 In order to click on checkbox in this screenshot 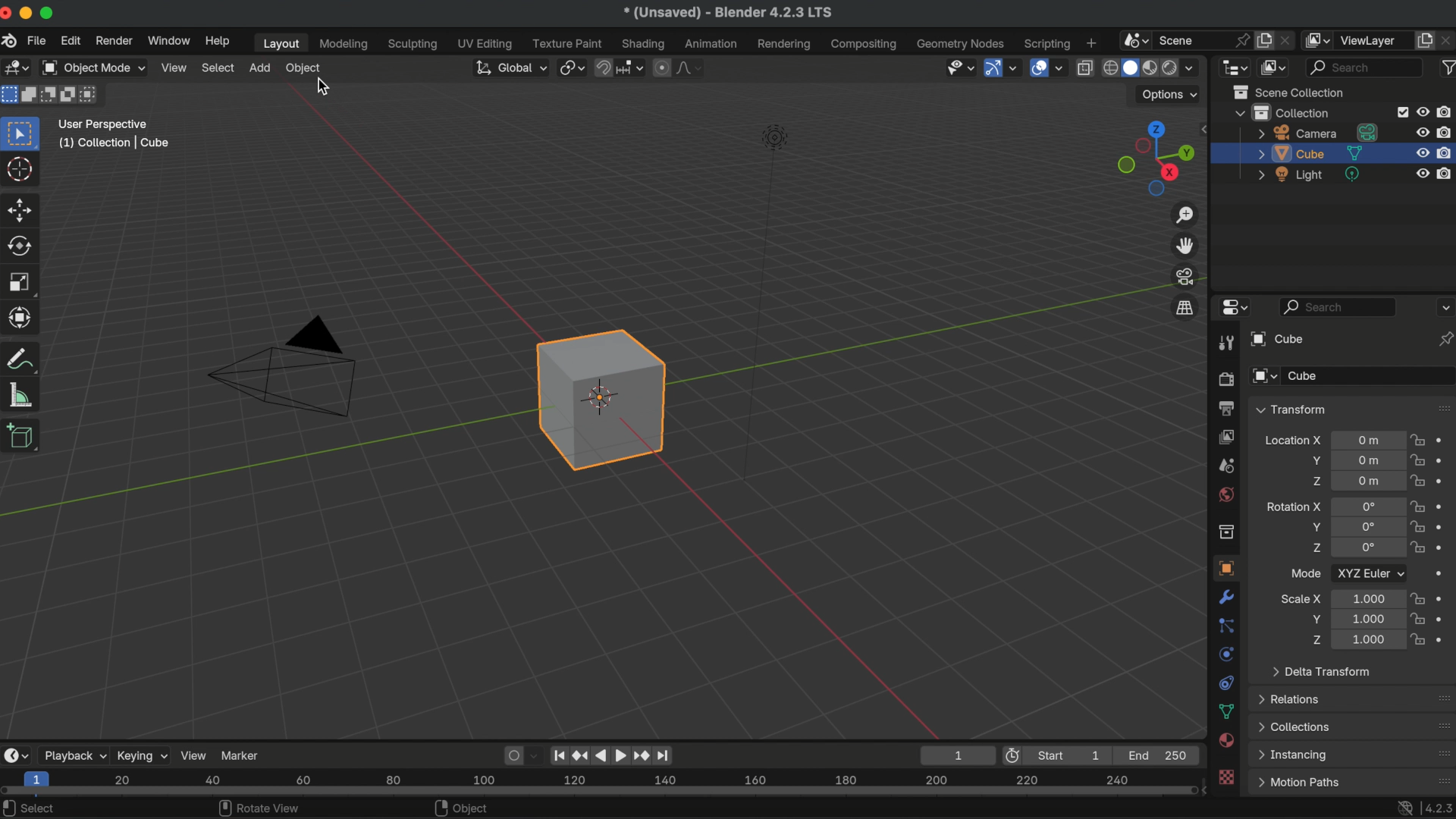, I will do `click(1400, 112)`.